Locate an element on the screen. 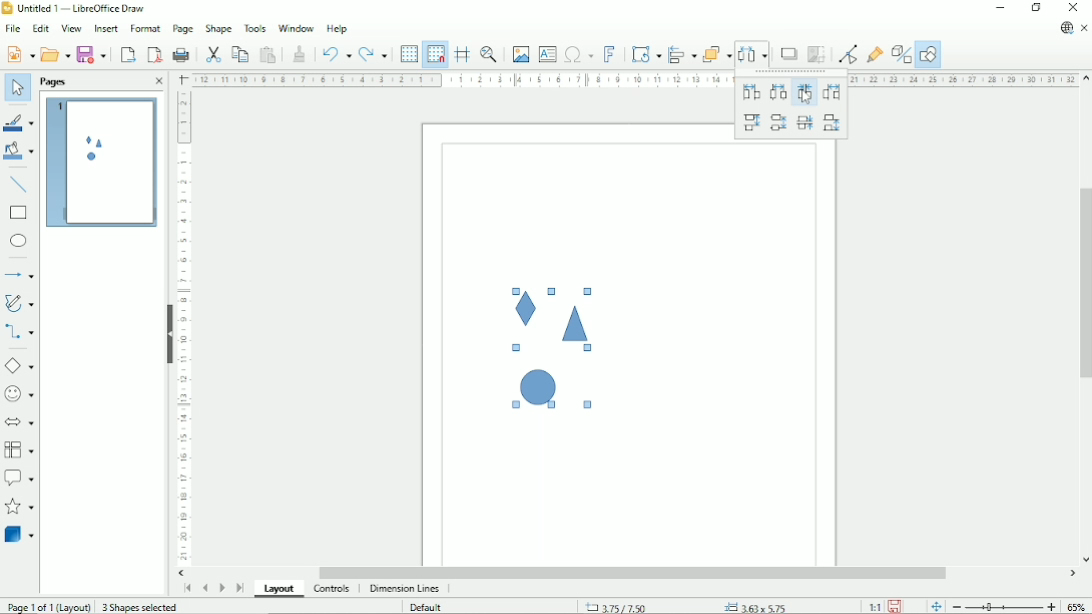  Page 1 of 1 (Layout) is located at coordinates (48, 607).